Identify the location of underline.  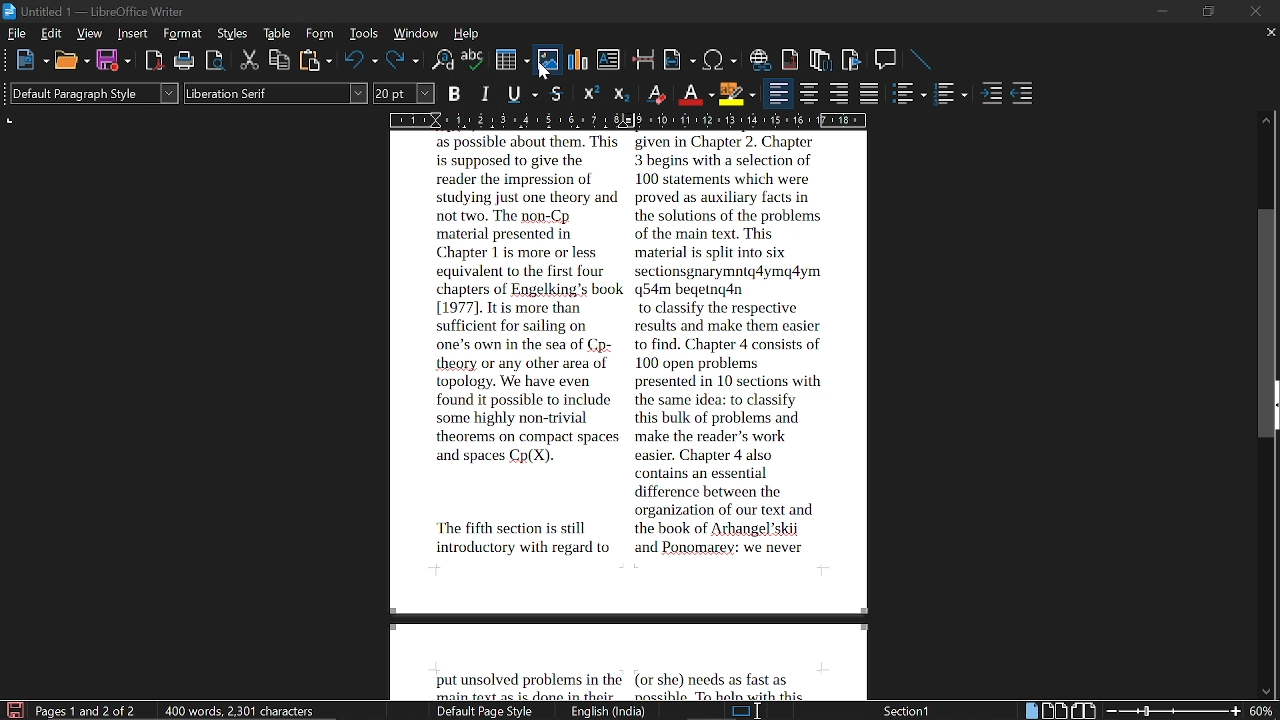
(522, 95).